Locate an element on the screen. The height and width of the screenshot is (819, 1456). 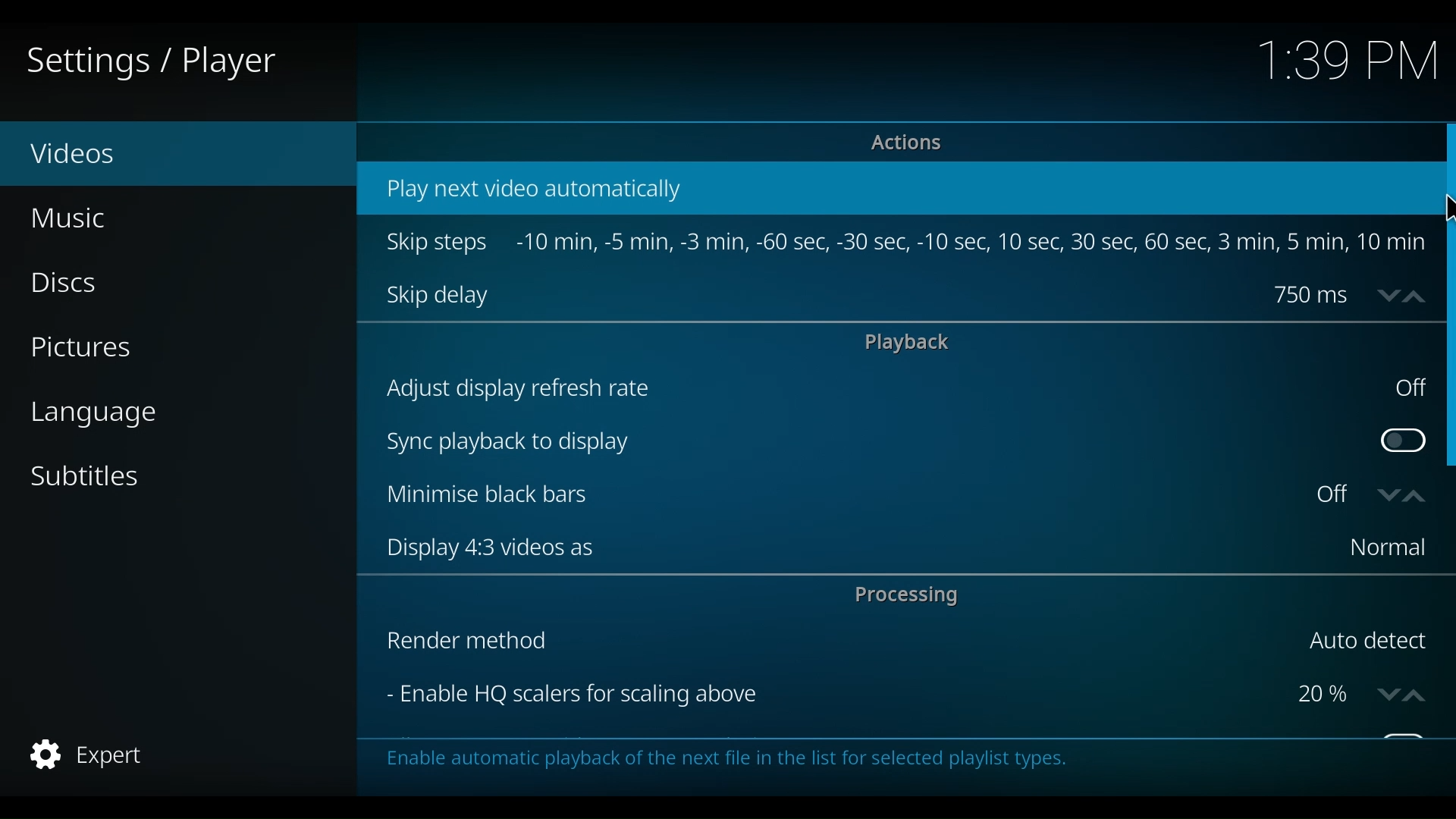
Time is located at coordinates (1348, 63).